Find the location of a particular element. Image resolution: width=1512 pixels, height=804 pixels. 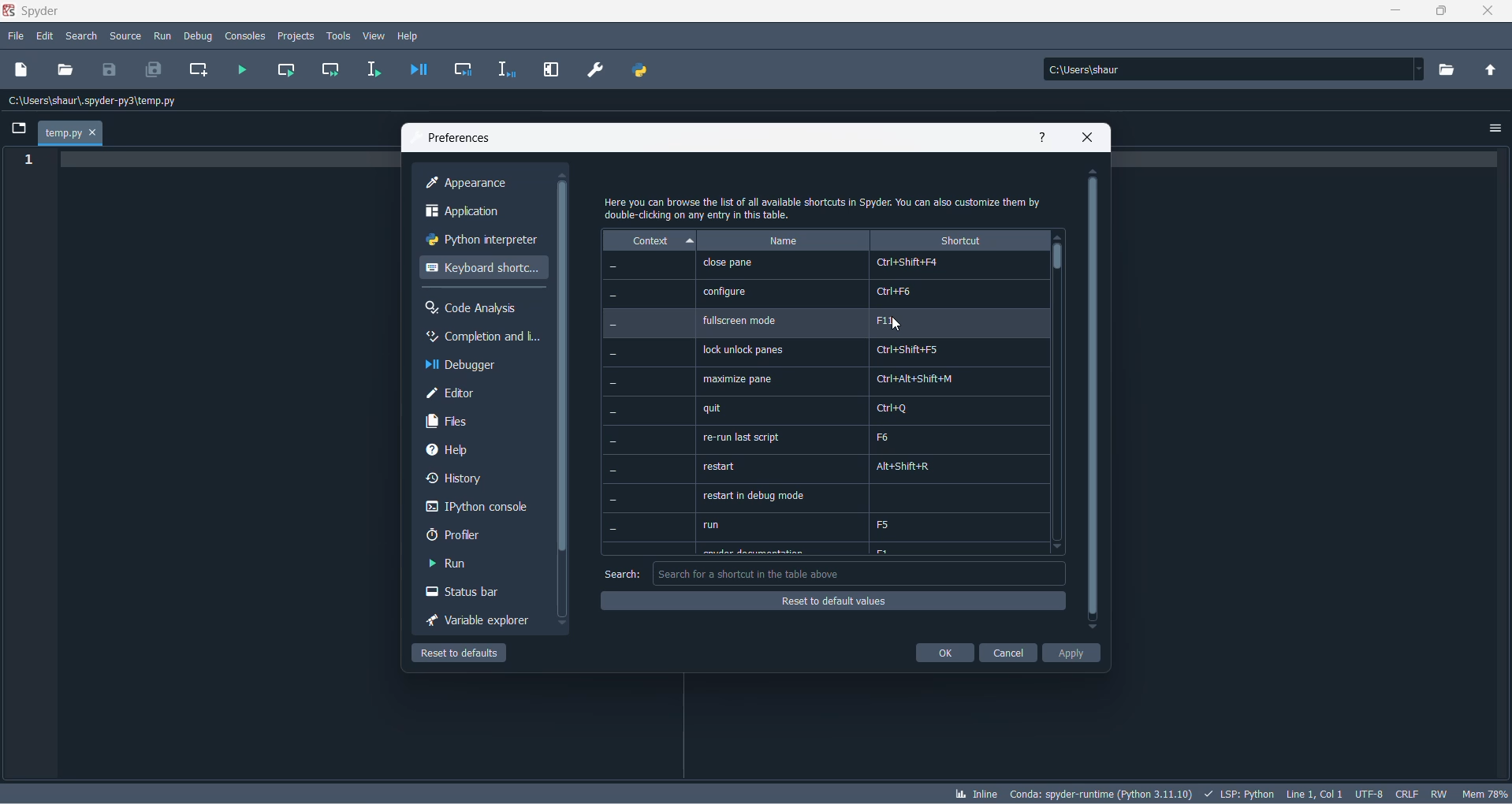

debug selection is located at coordinates (505, 71).